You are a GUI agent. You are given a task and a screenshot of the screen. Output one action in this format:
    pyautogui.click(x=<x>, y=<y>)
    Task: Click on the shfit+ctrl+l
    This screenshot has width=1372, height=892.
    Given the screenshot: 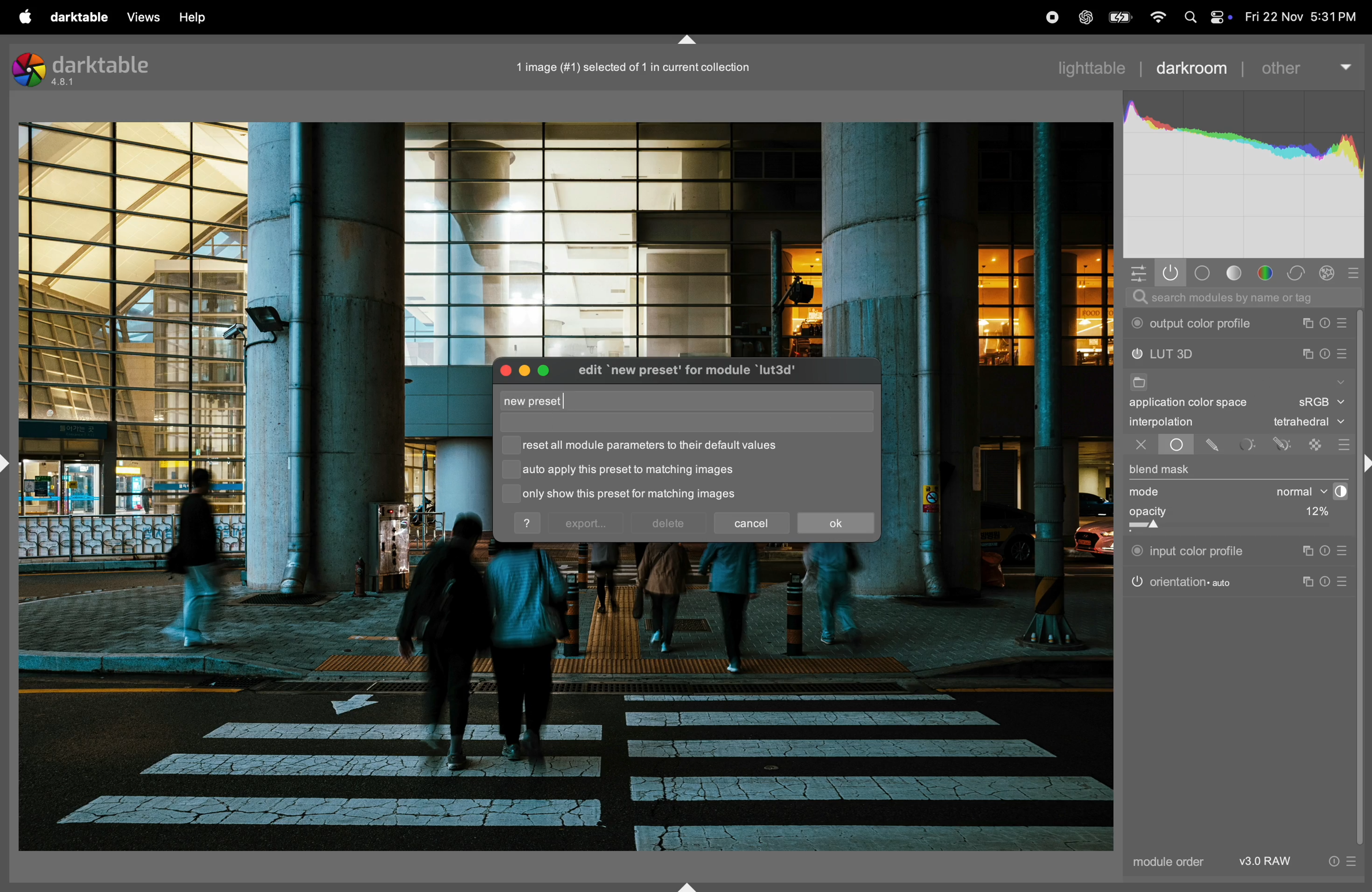 What is the action you would take?
    pyautogui.click(x=9, y=463)
    